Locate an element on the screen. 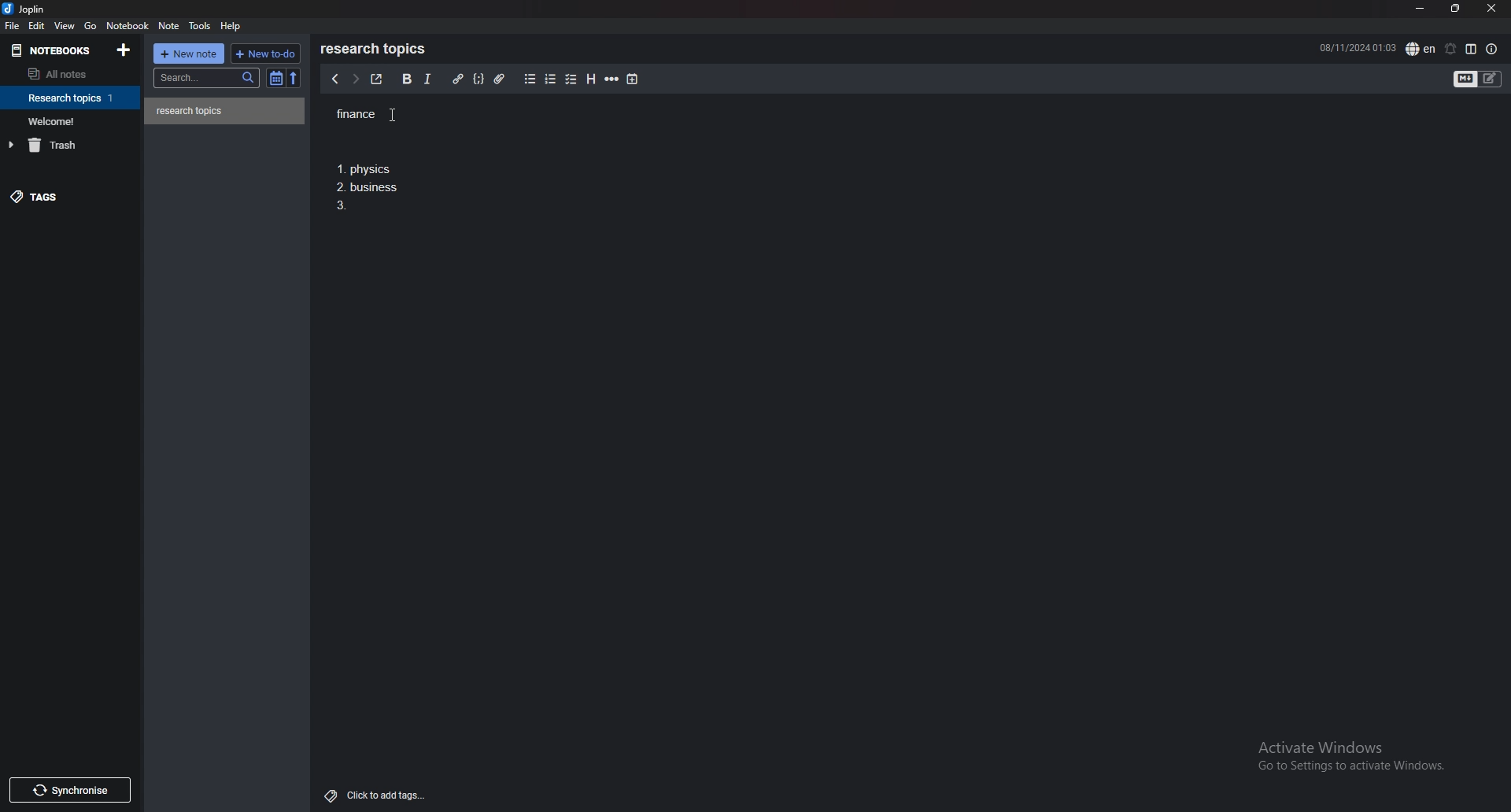 The height and width of the screenshot is (812, 1511). italic is located at coordinates (427, 79).